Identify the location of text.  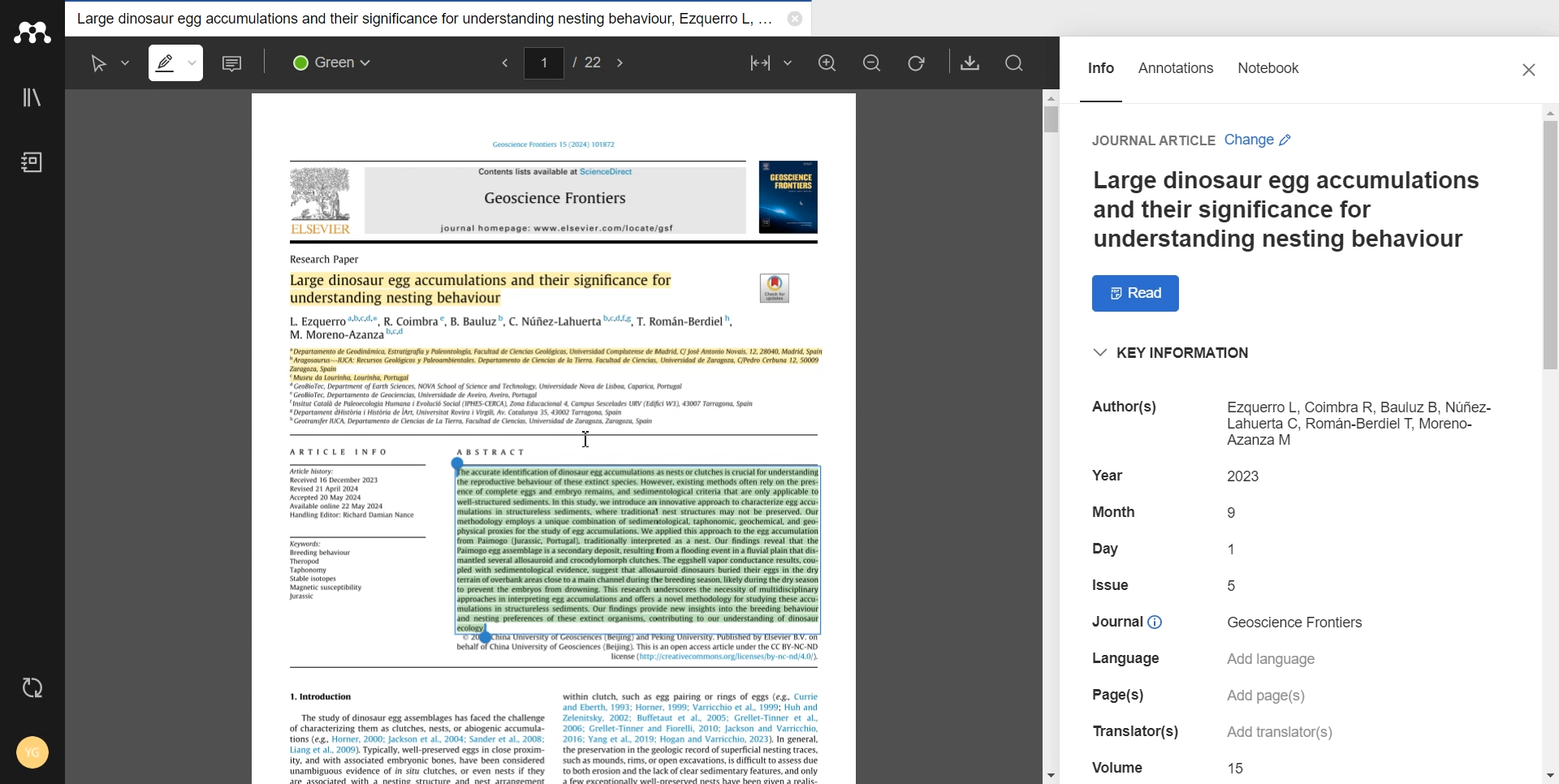
(1237, 547).